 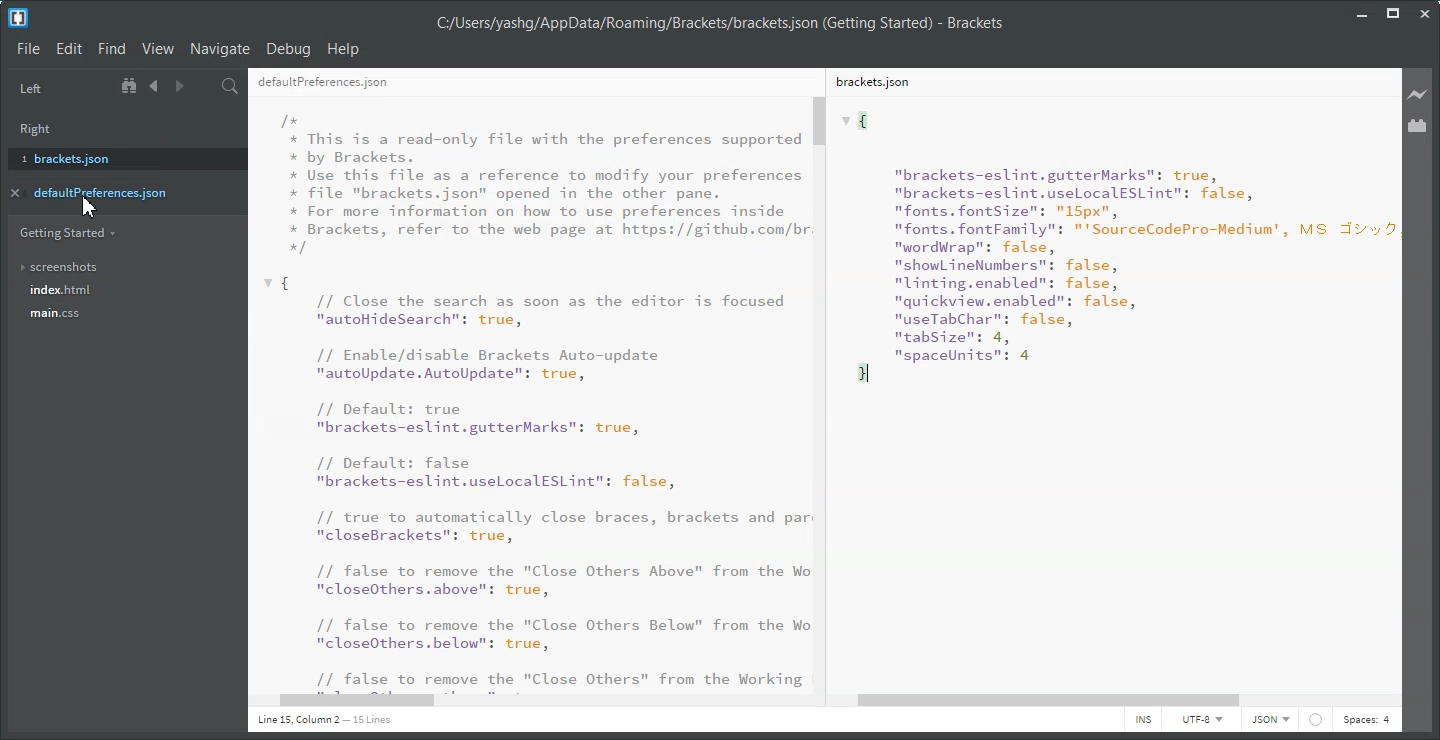 I want to click on Navigate Forward, so click(x=177, y=87).